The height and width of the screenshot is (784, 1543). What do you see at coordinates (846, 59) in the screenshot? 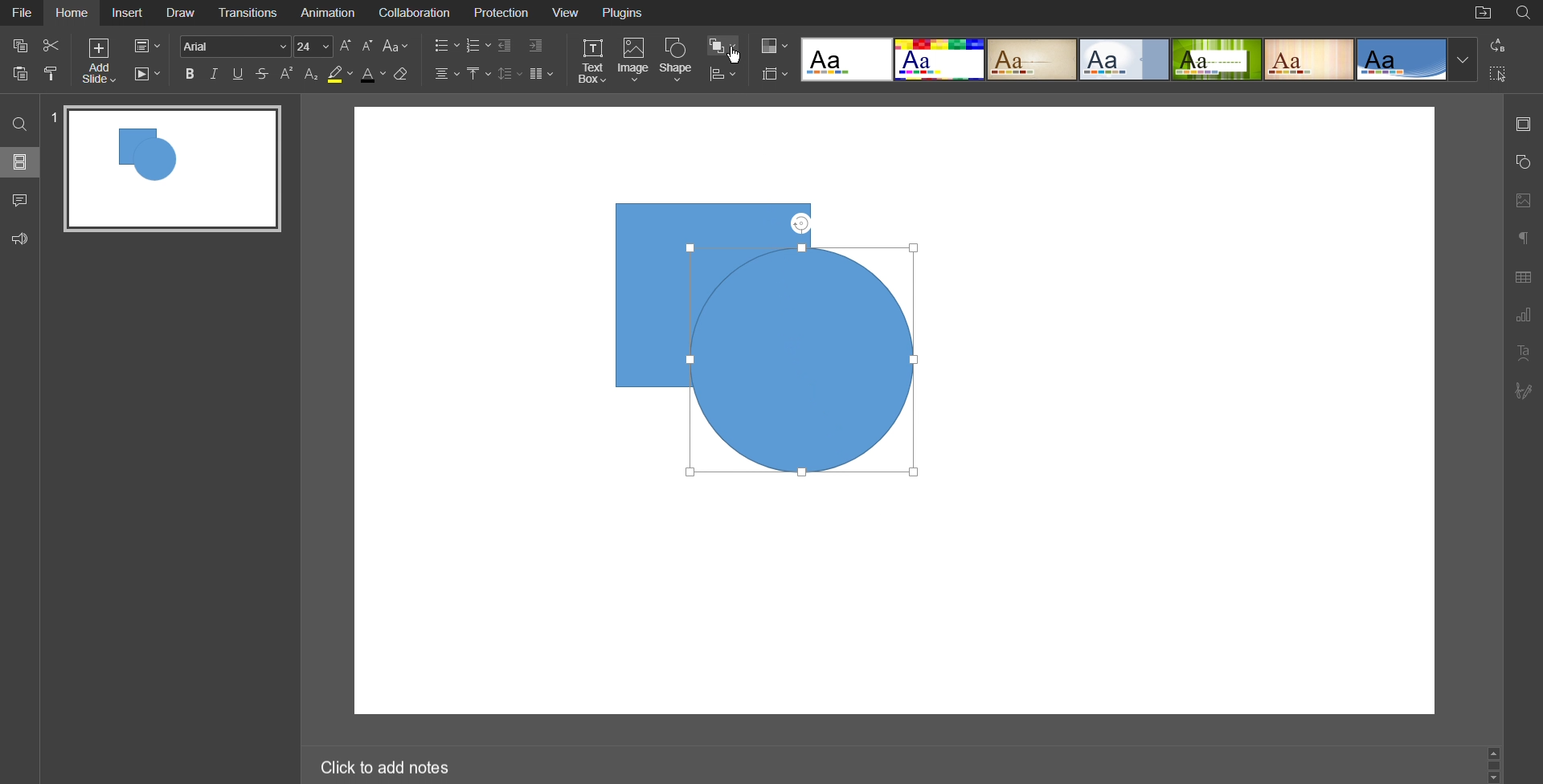
I see `Blank` at bounding box center [846, 59].